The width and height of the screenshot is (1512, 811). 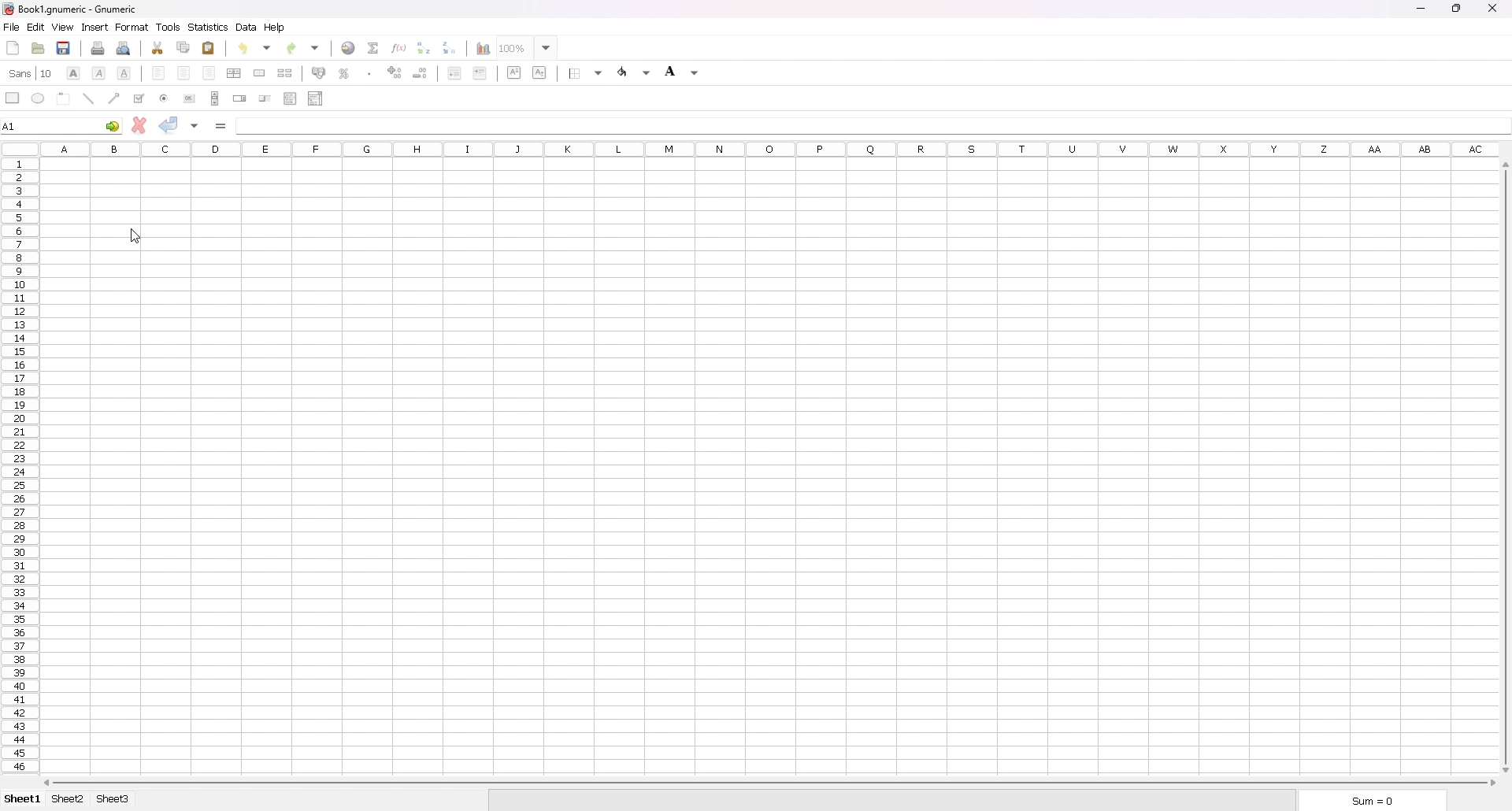 What do you see at coordinates (125, 48) in the screenshot?
I see `print preview` at bounding box center [125, 48].